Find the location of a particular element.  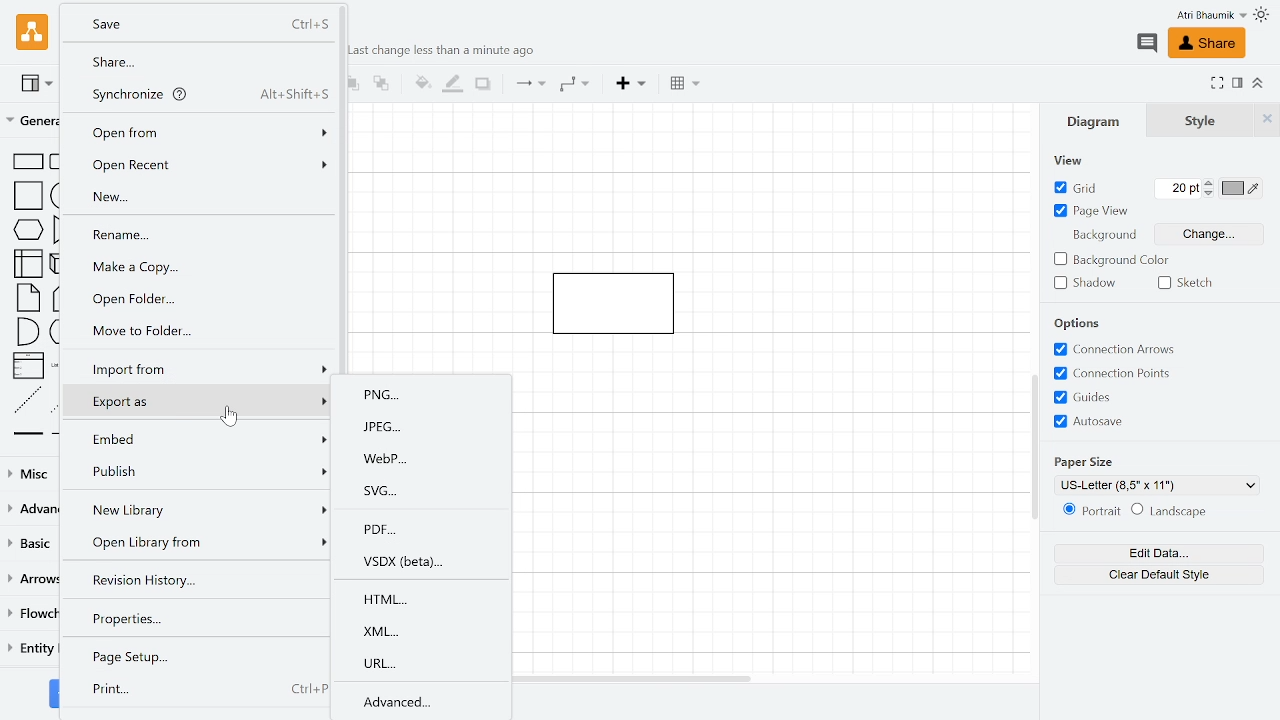

Open folder is located at coordinates (202, 297).